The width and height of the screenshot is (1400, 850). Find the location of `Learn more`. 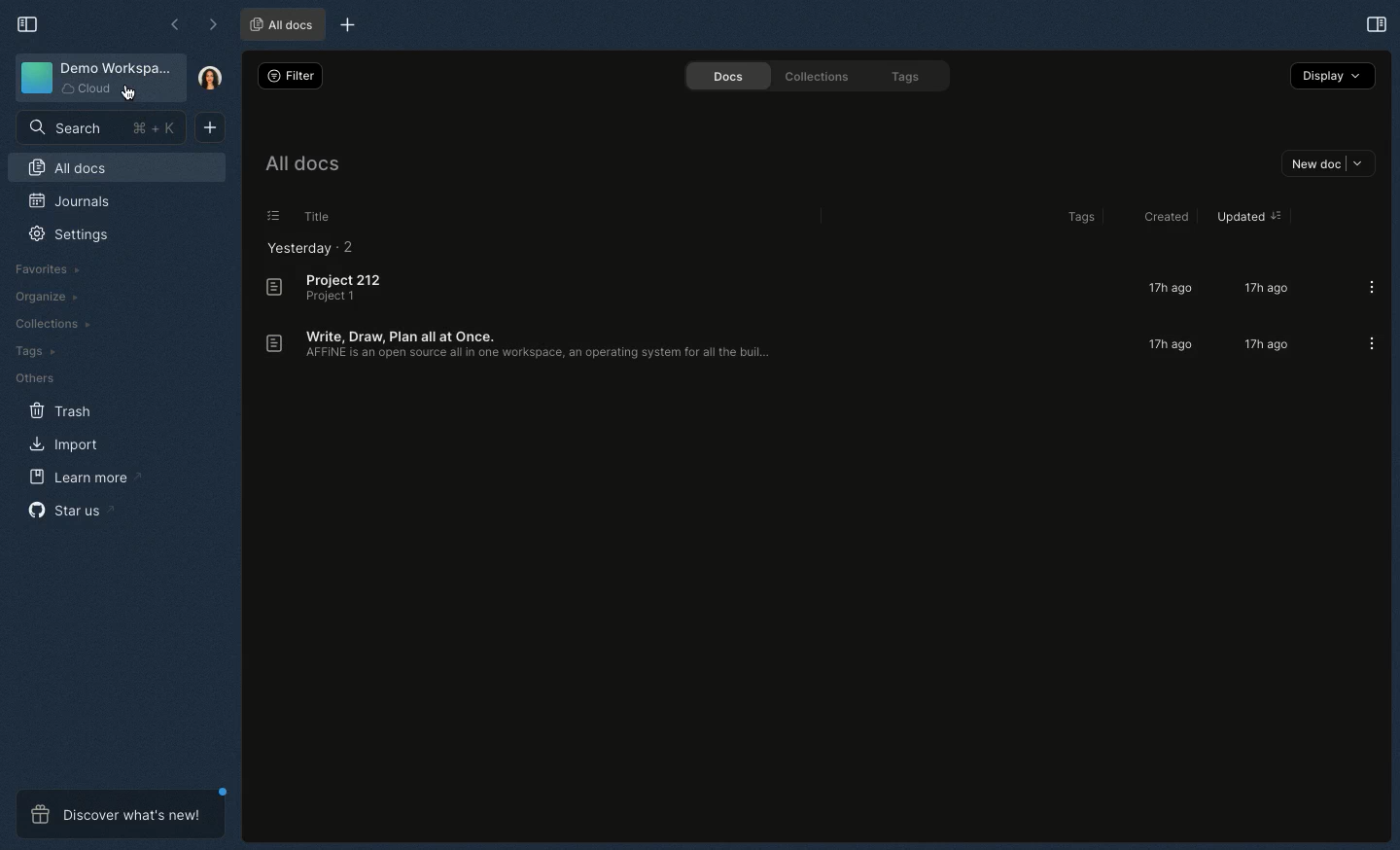

Learn more is located at coordinates (82, 478).